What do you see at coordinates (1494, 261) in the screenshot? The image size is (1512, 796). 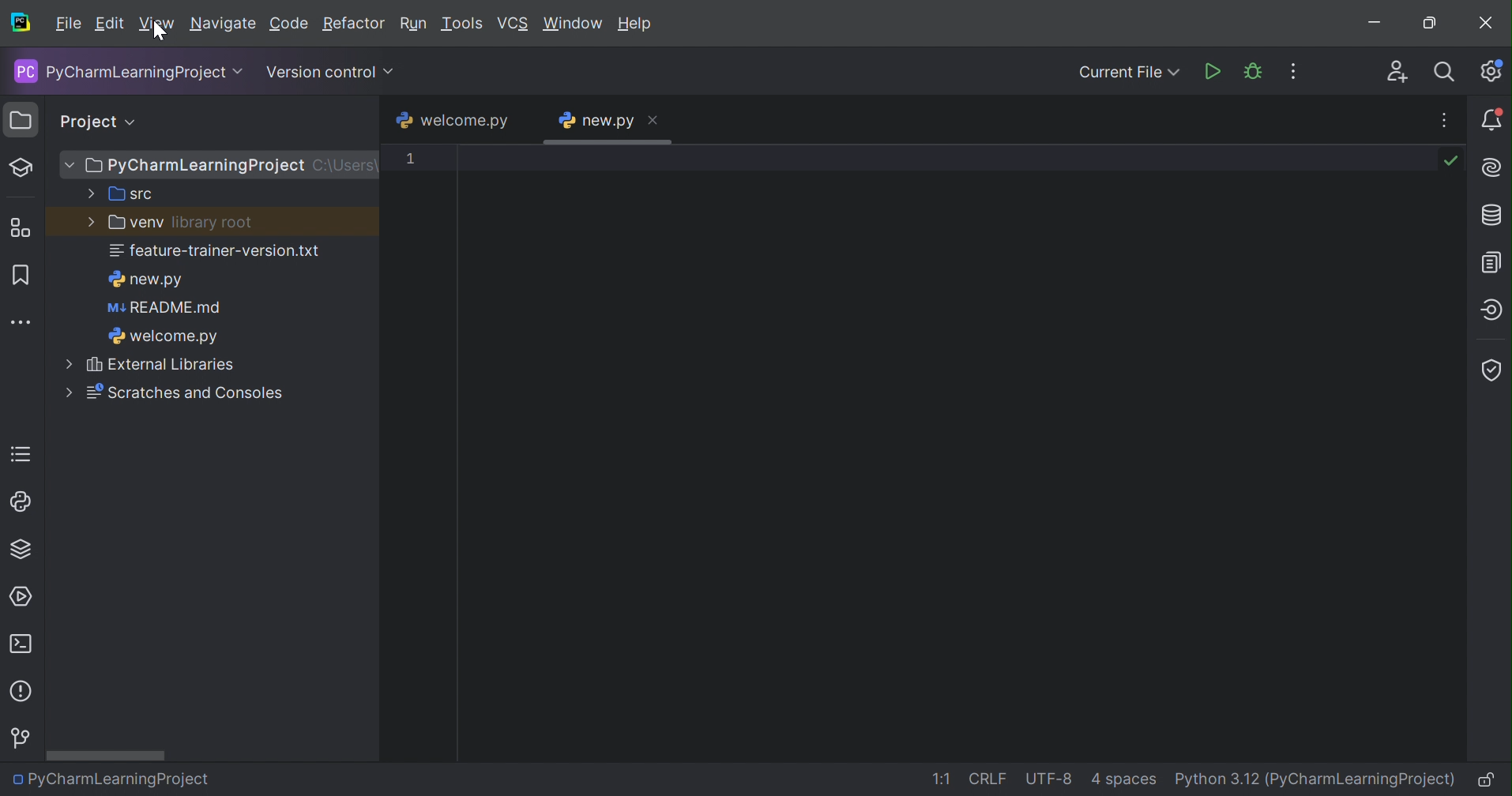 I see `Documentation` at bounding box center [1494, 261].